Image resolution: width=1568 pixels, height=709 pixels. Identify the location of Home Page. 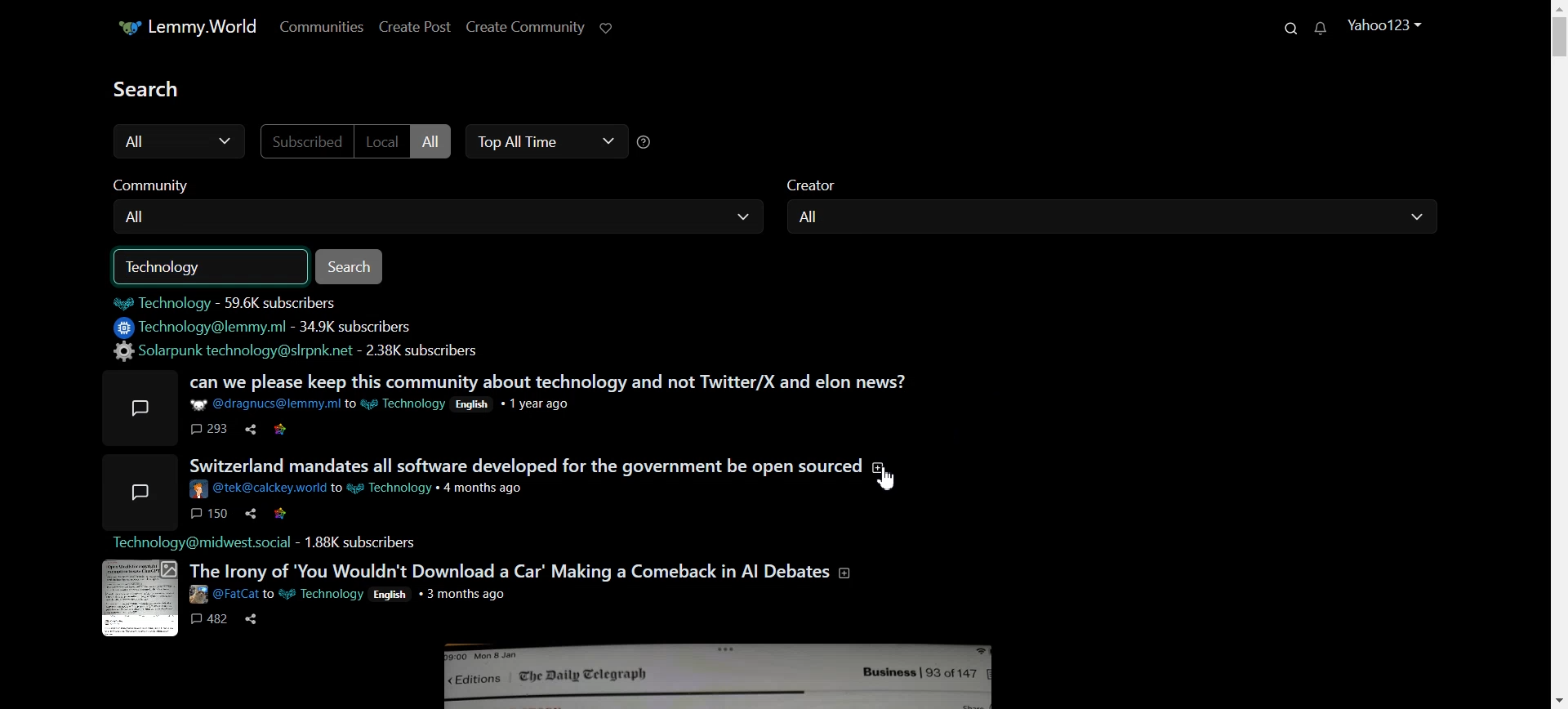
(193, 28).